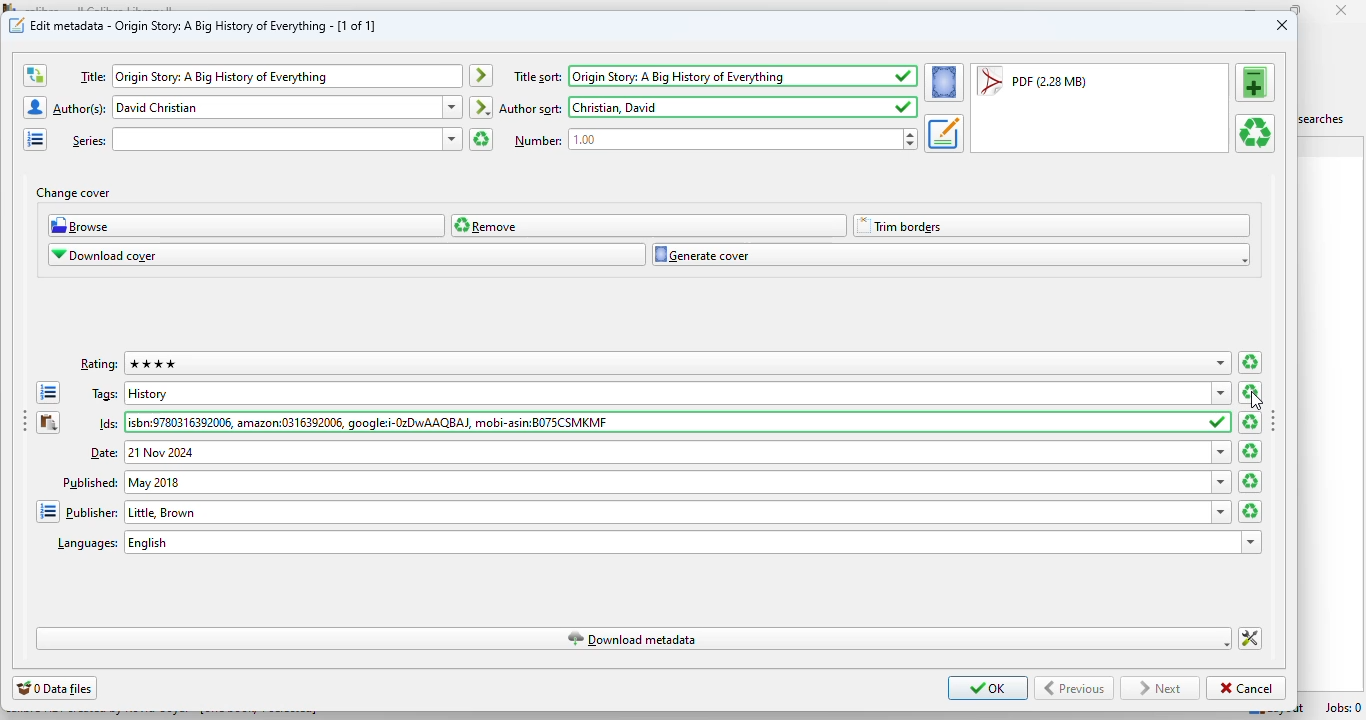  Describe the element at coordinates (480, 107) in the screenshot. I see `automatically create the author sort entry based on the current author entry` at that location.